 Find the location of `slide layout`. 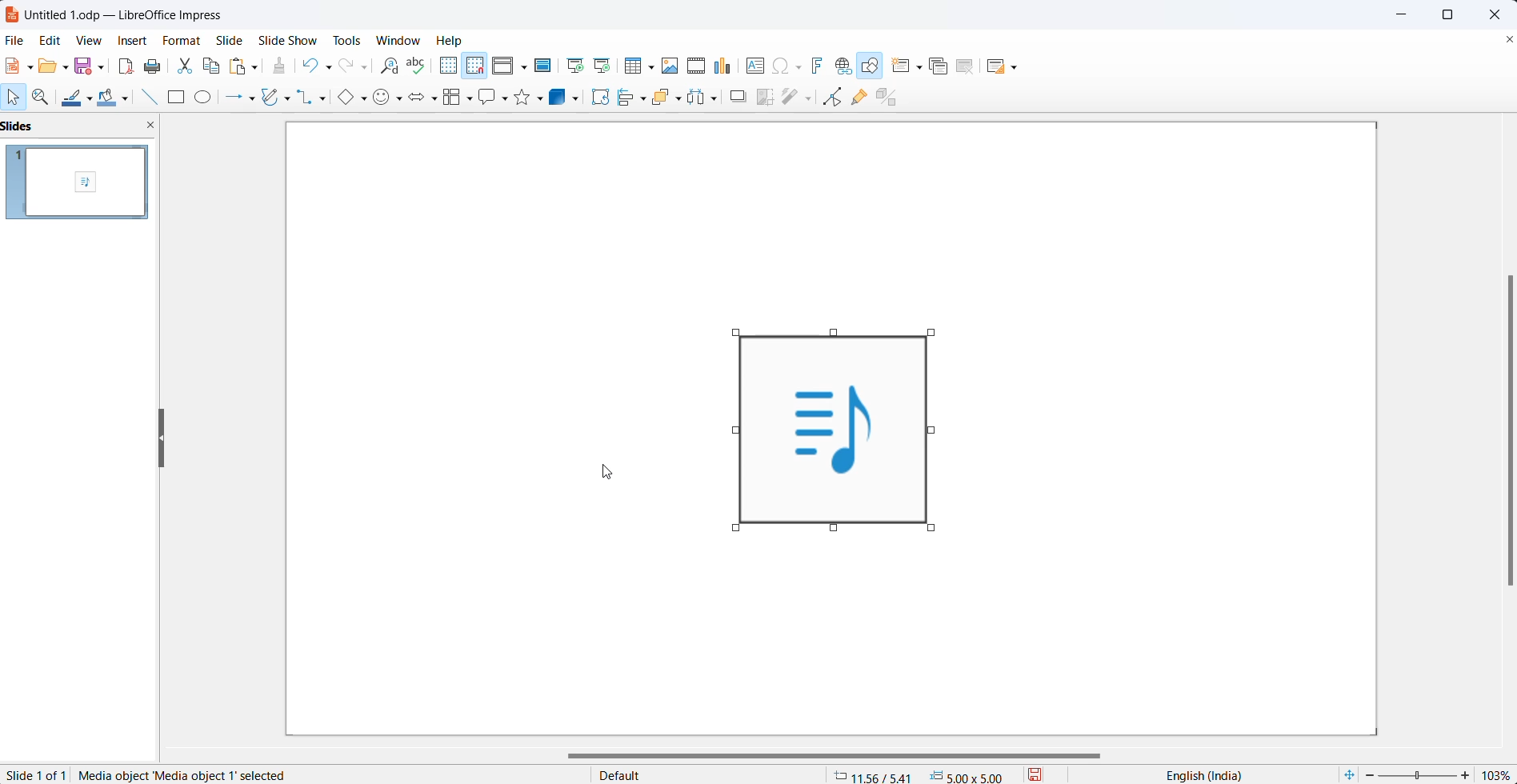

slide layout is located at coordinates (993, 66).